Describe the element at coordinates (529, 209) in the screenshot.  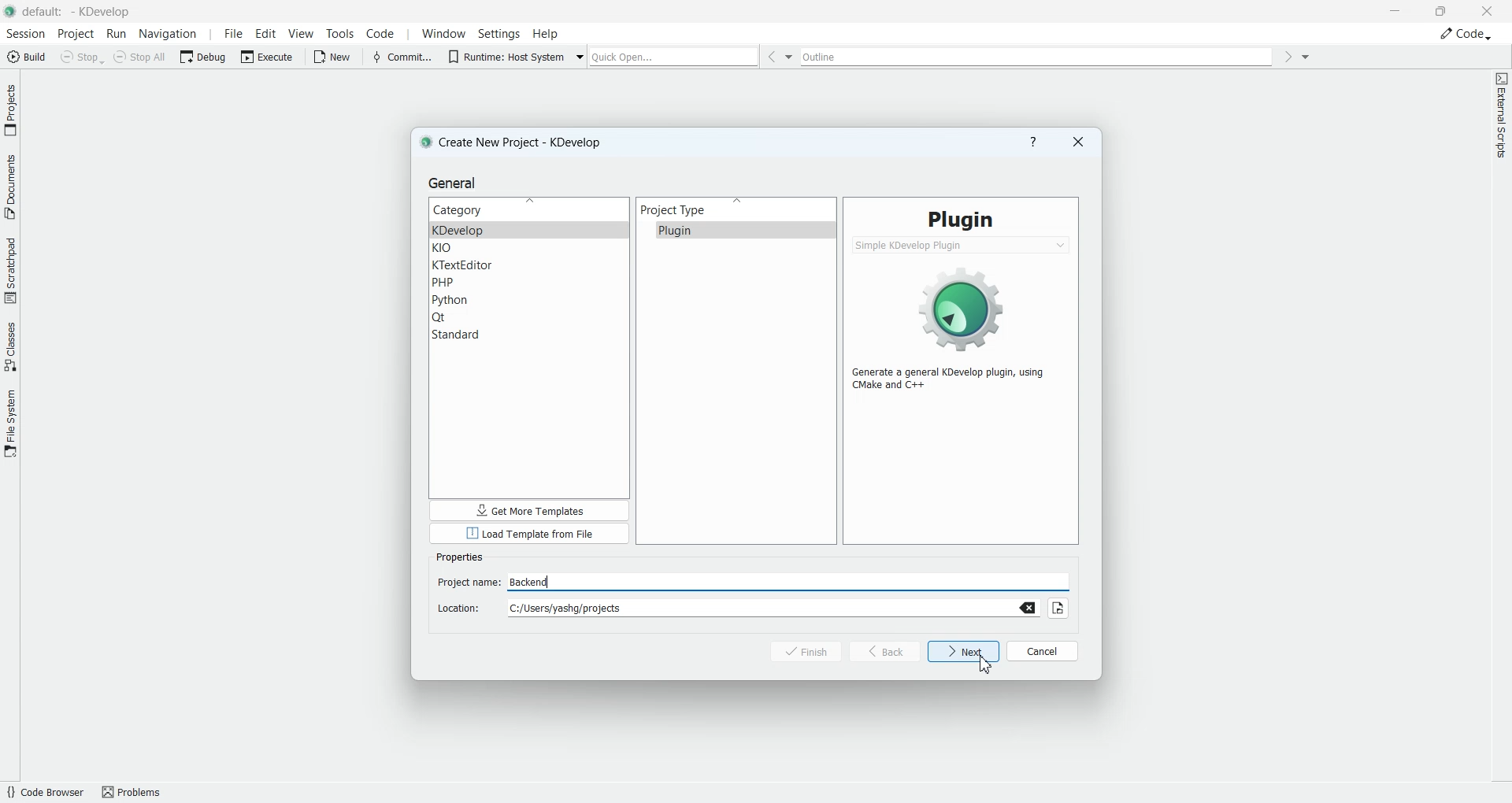
I see `General Category` at that location.